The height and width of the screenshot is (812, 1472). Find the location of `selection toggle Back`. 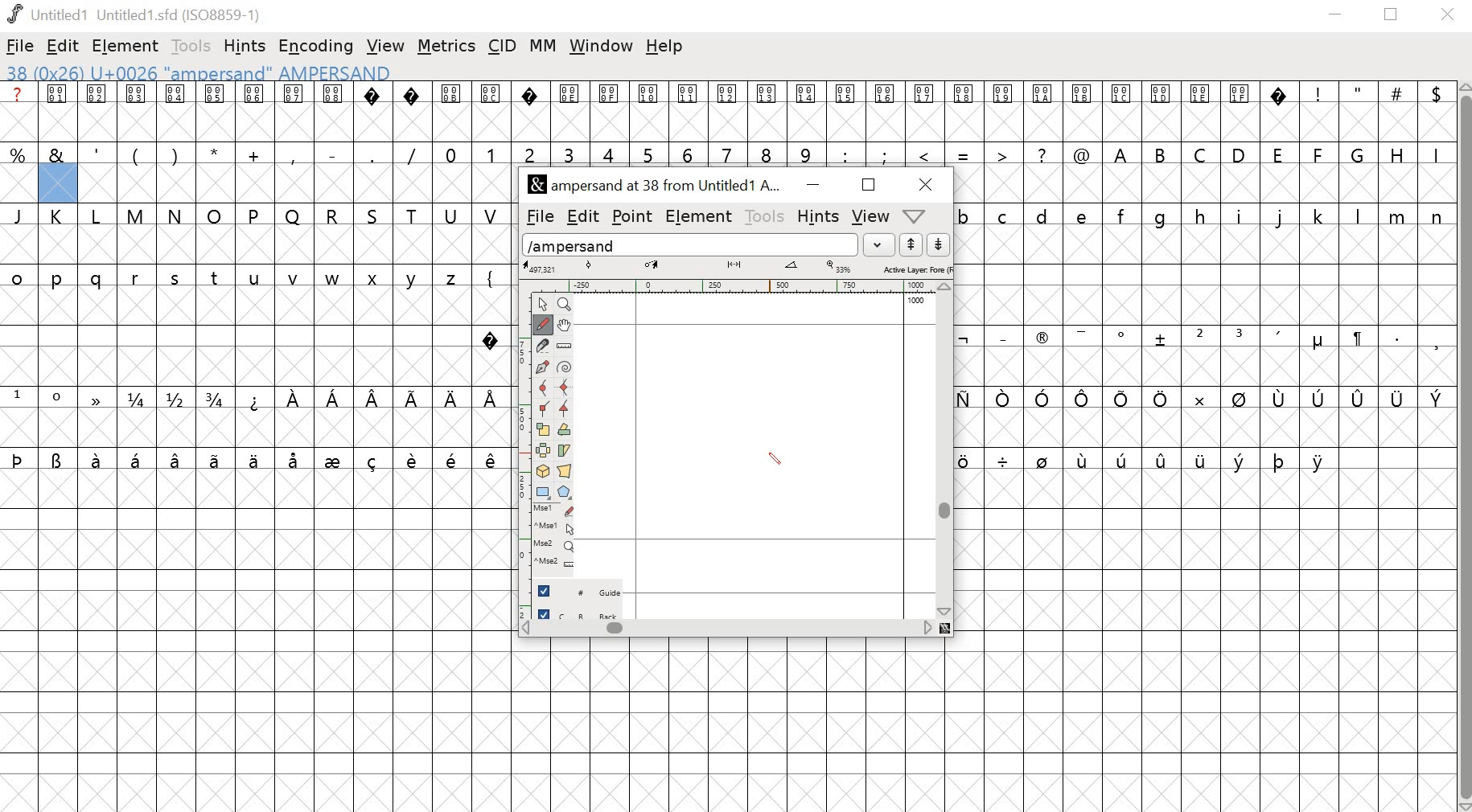

selection toggle Back is located at coordinates (586, 611).